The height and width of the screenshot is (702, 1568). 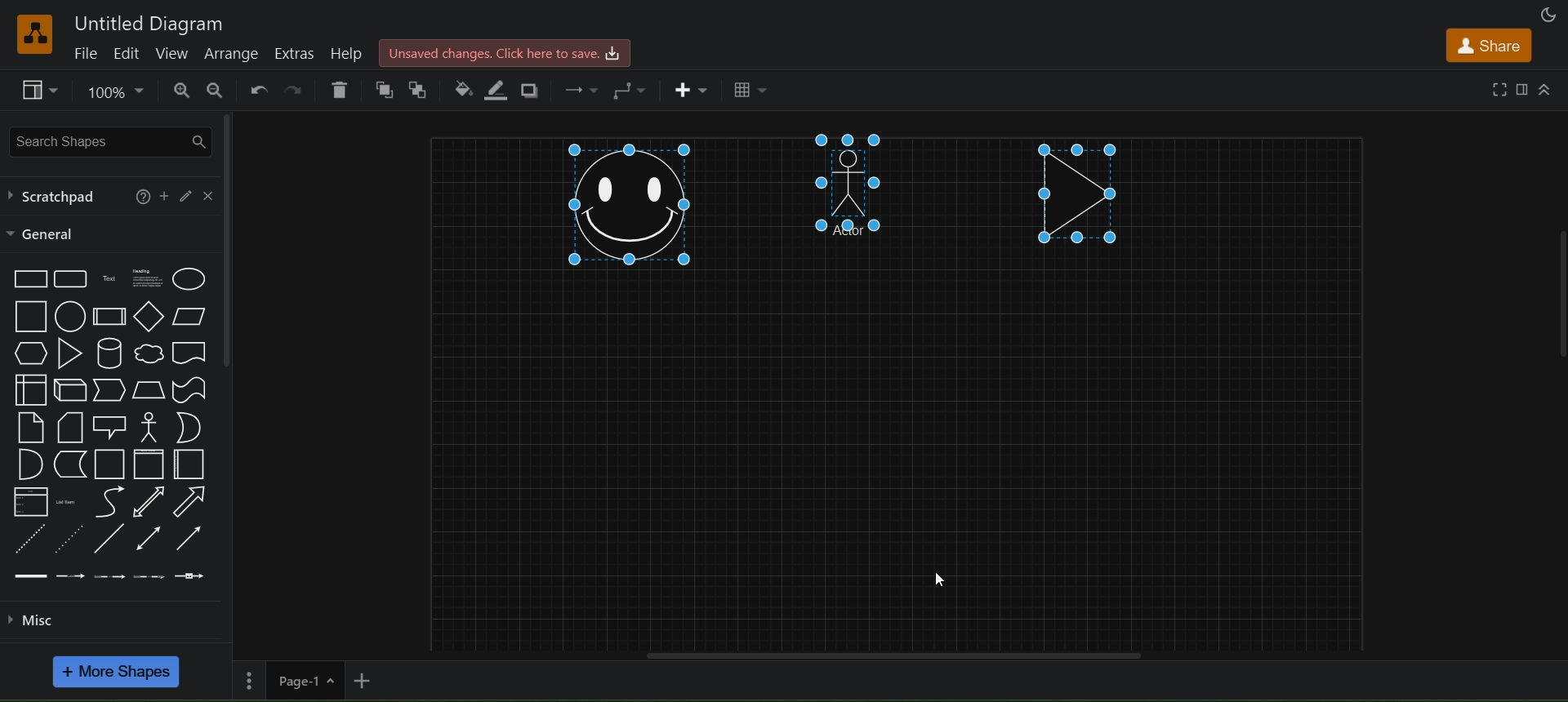 I want to click on fill color , so click(x=461, y=86).